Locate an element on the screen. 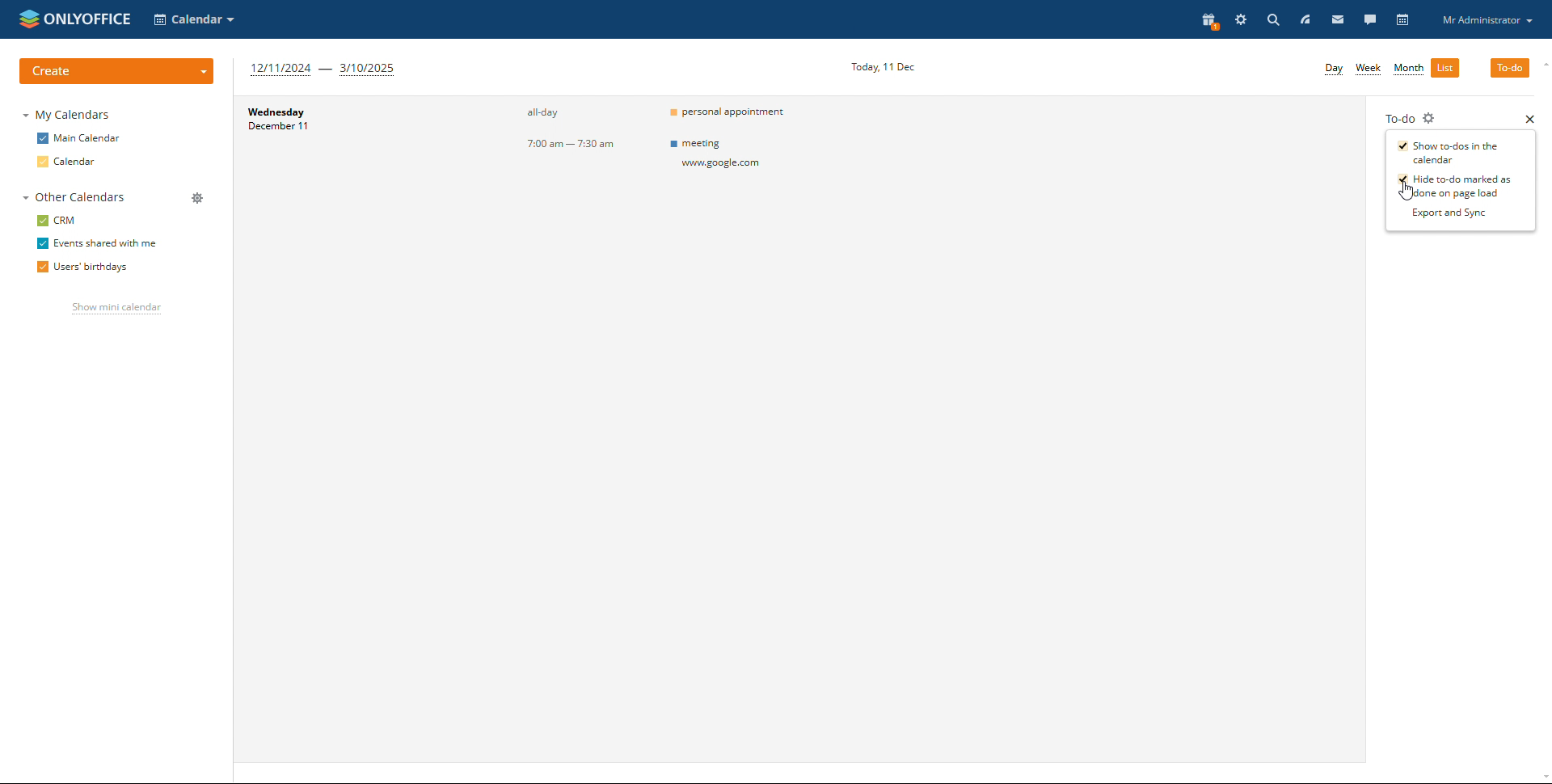 The height and width of the screenshot is (784, 1552). to-do settings is located at coordinates (1432, 117).